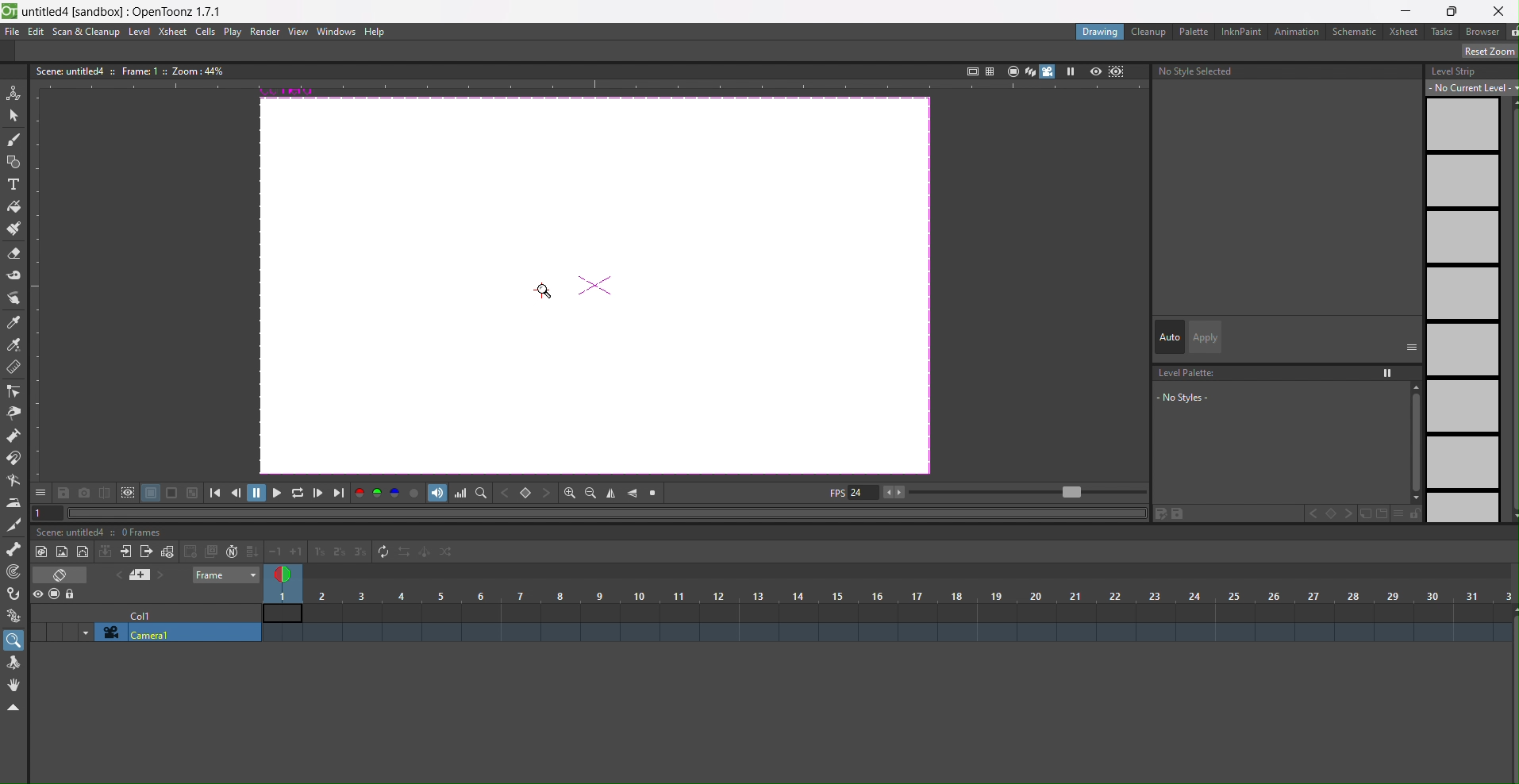  I want to click on audio, so click(437, 494).